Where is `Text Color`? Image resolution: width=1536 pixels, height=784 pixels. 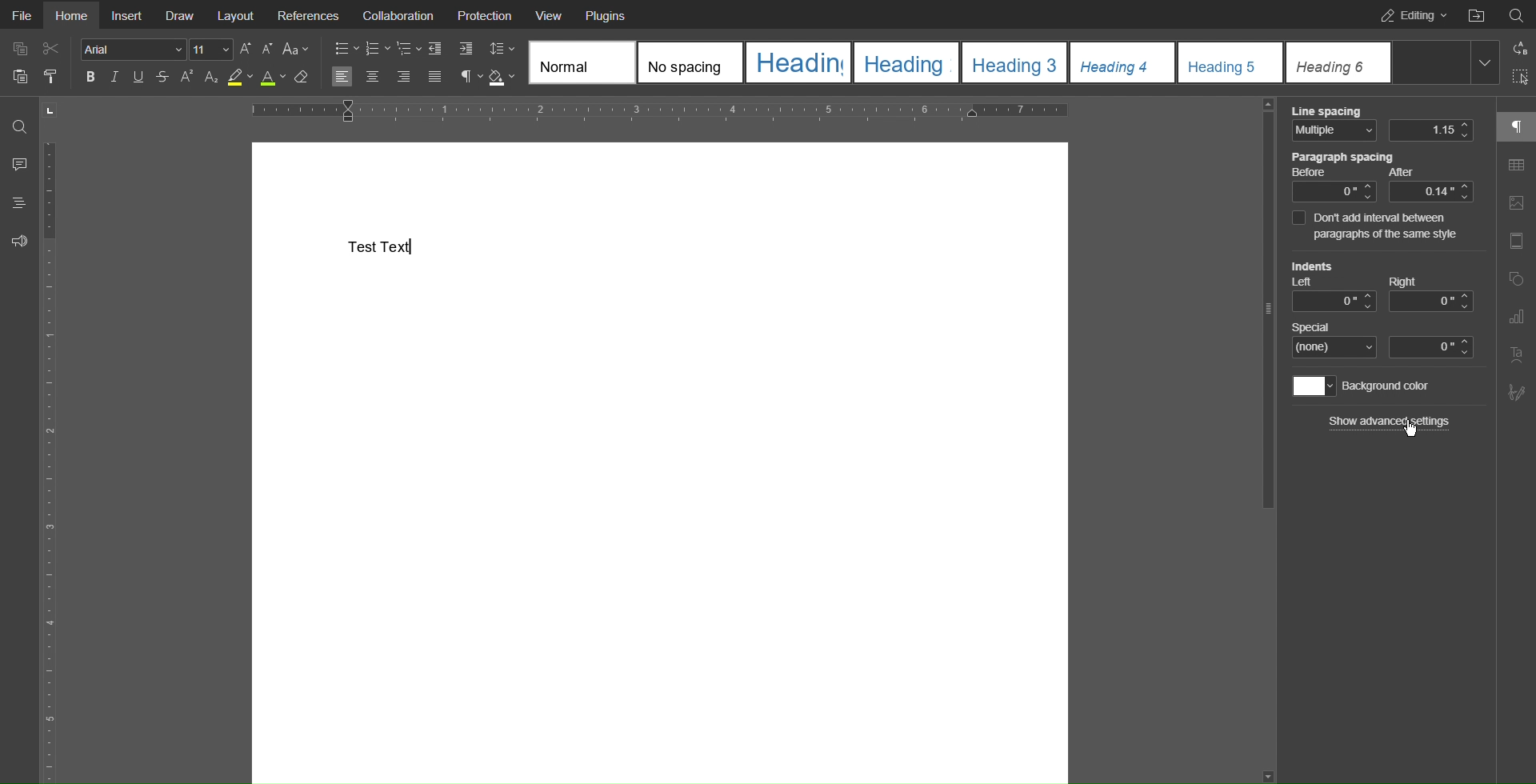 Text Color is located at coordinates (273, 78).